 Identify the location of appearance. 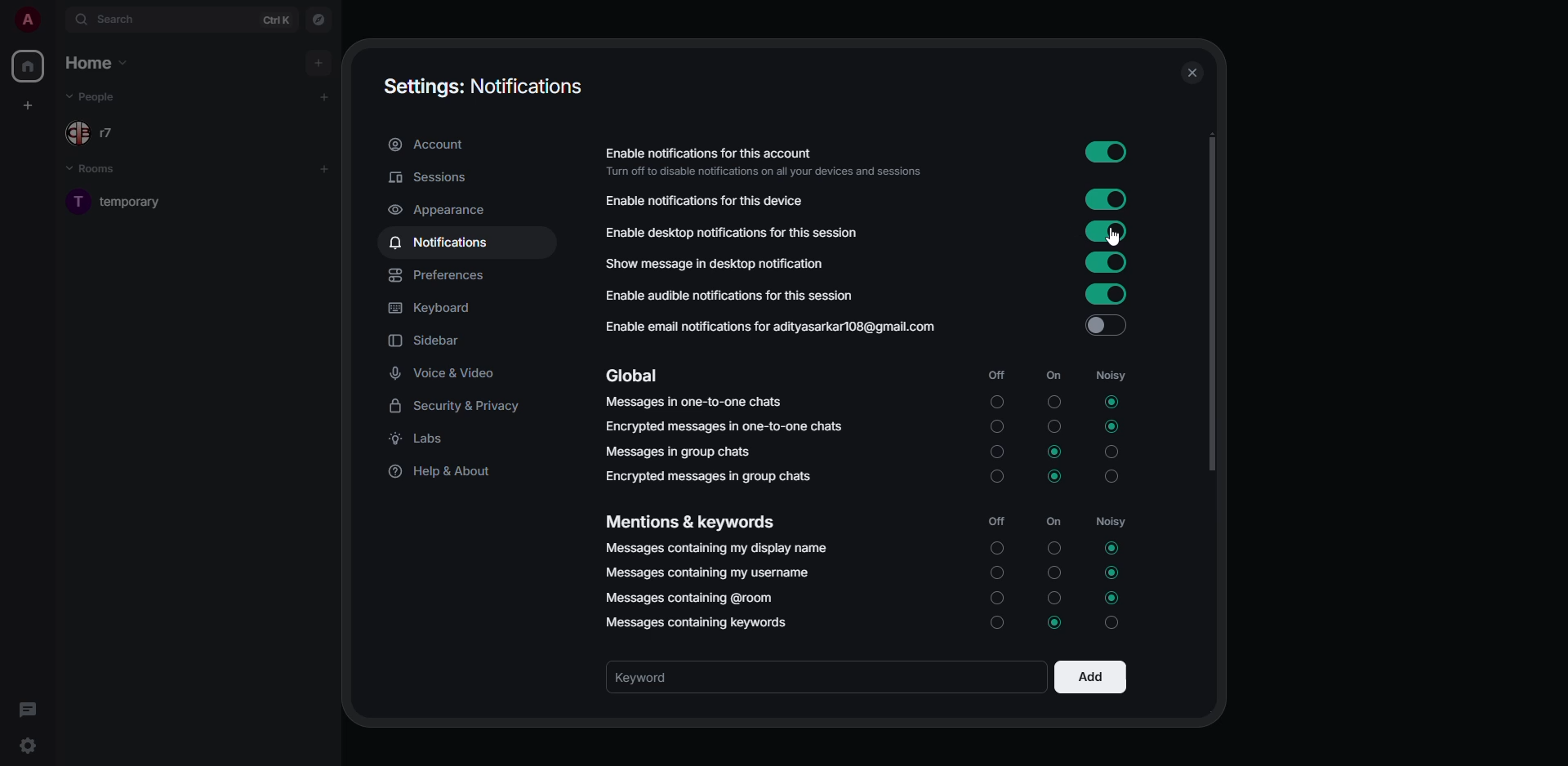
(439, 212).